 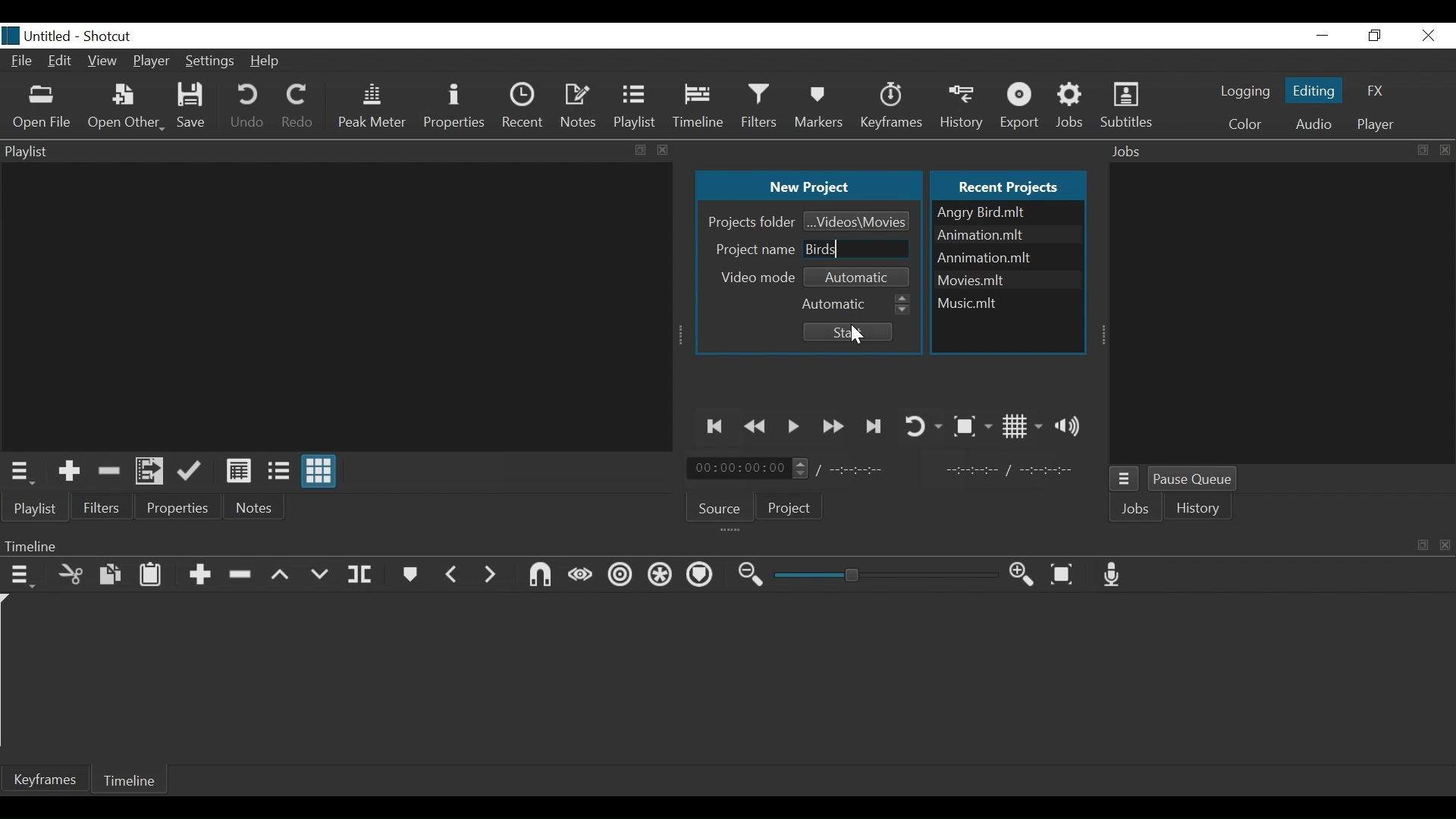 I want to click on Zoom Timeline to fit, so click(x=1065, y=575).